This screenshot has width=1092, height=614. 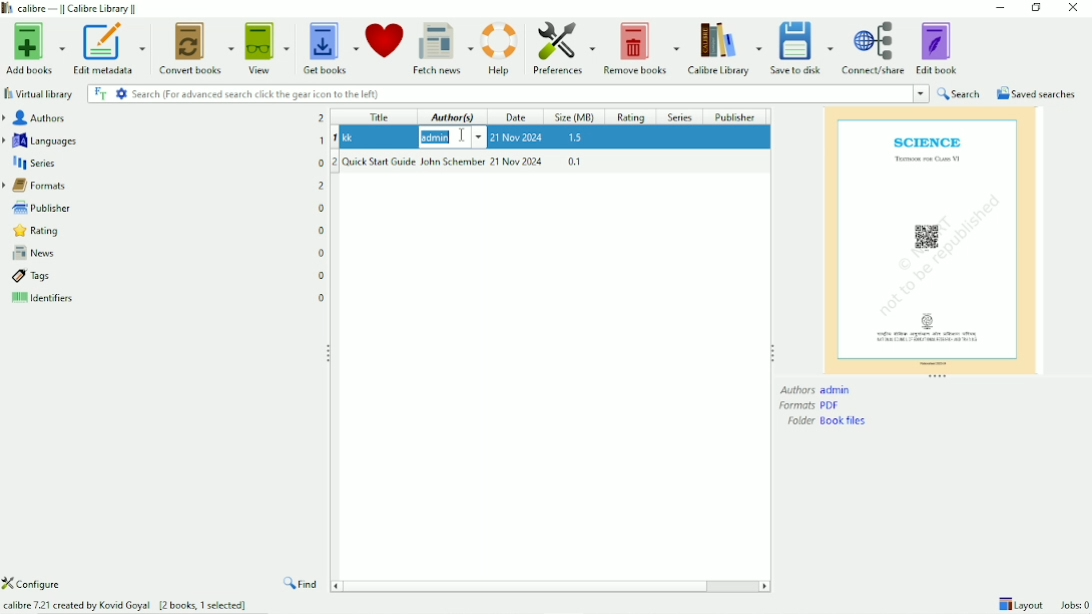 What do you see at coordinates (127, 605) in the screenshot?
I see `Calibre 7.21 created by Kovid Goyal [2 books, 1 selected]` at bounding box center [127, 605].